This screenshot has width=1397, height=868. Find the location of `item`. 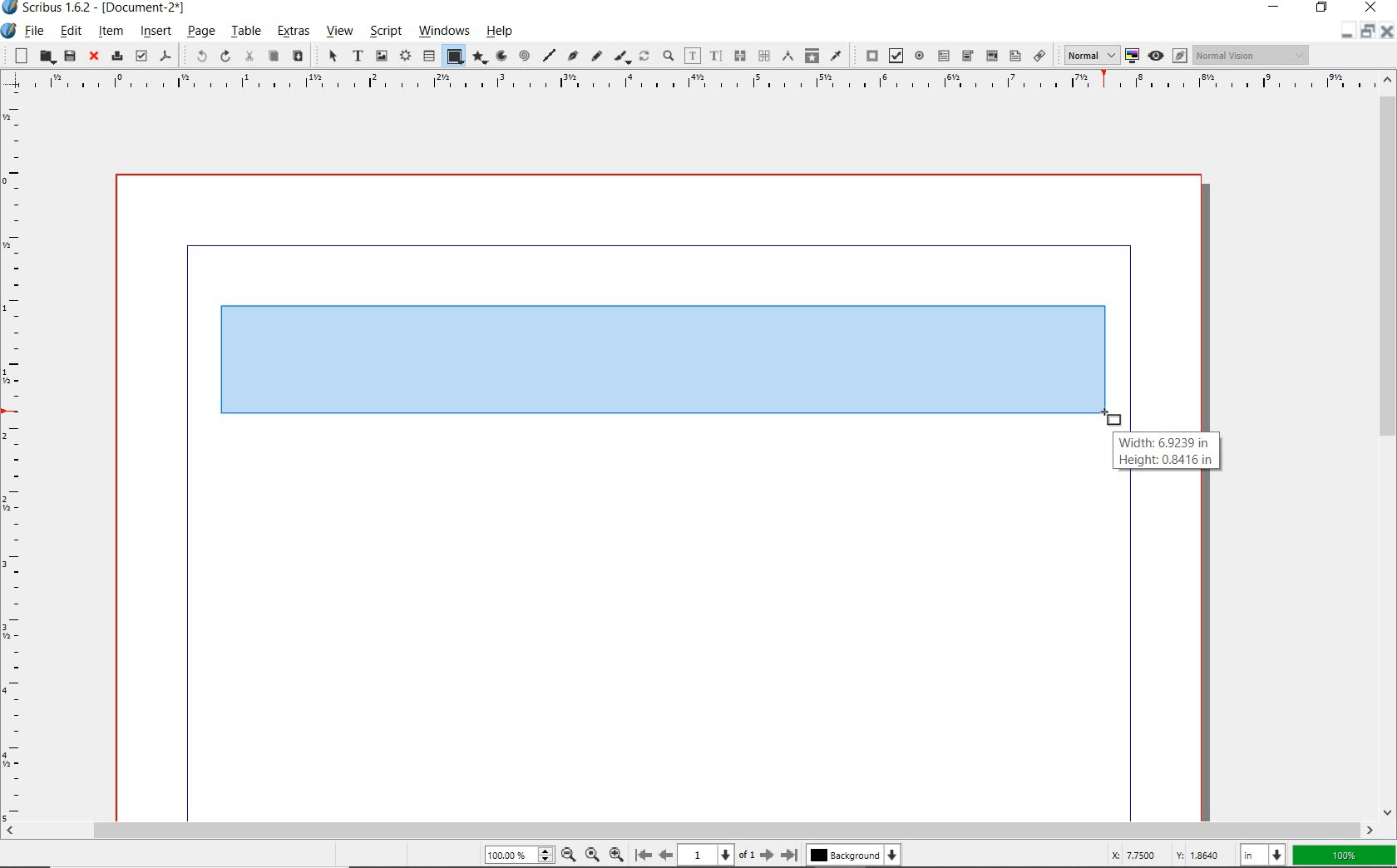

item is located at coordinates (111, 32).